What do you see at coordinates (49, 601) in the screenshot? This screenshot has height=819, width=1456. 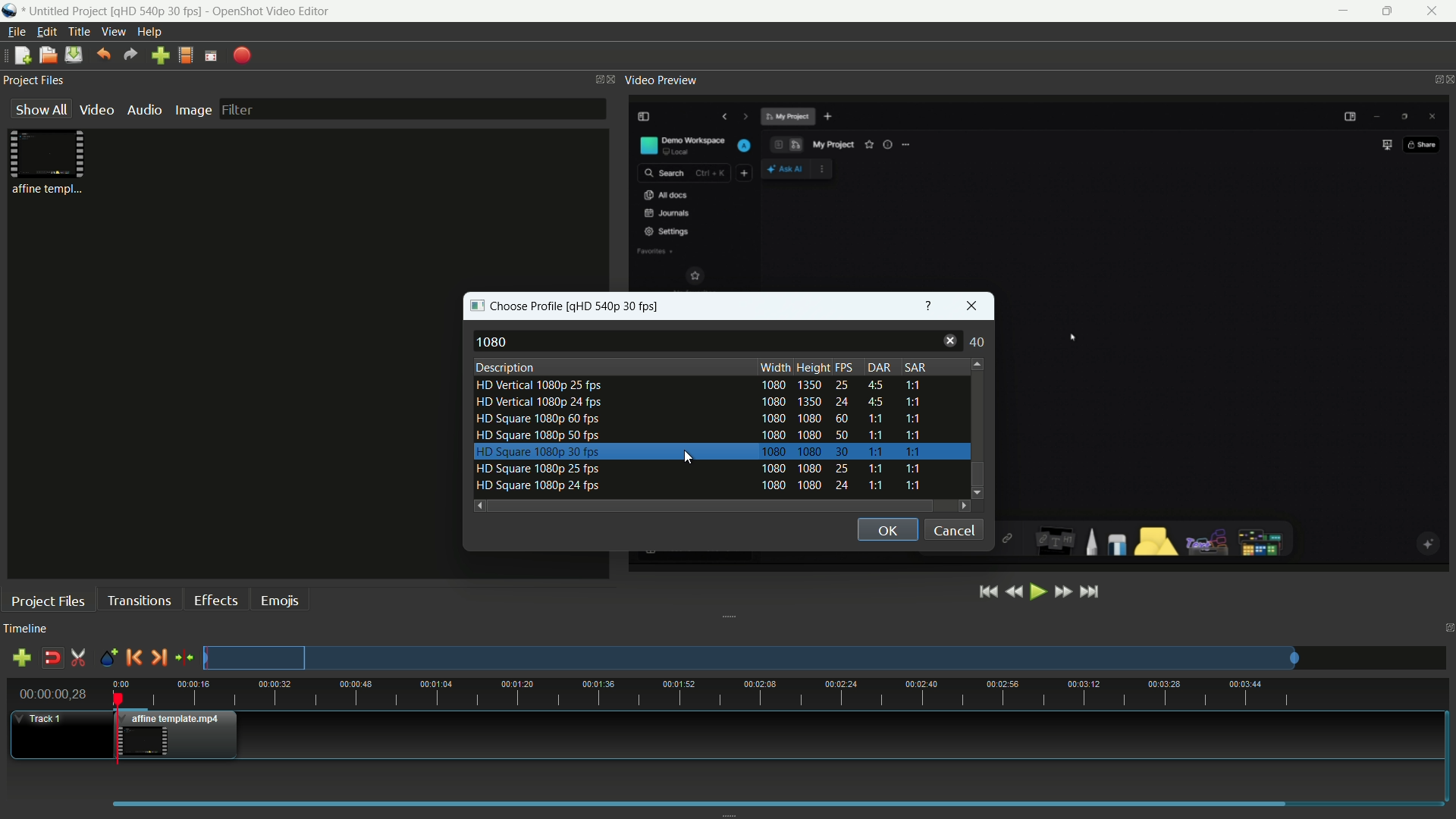 I see `project files` at bounding box center [49, 601].